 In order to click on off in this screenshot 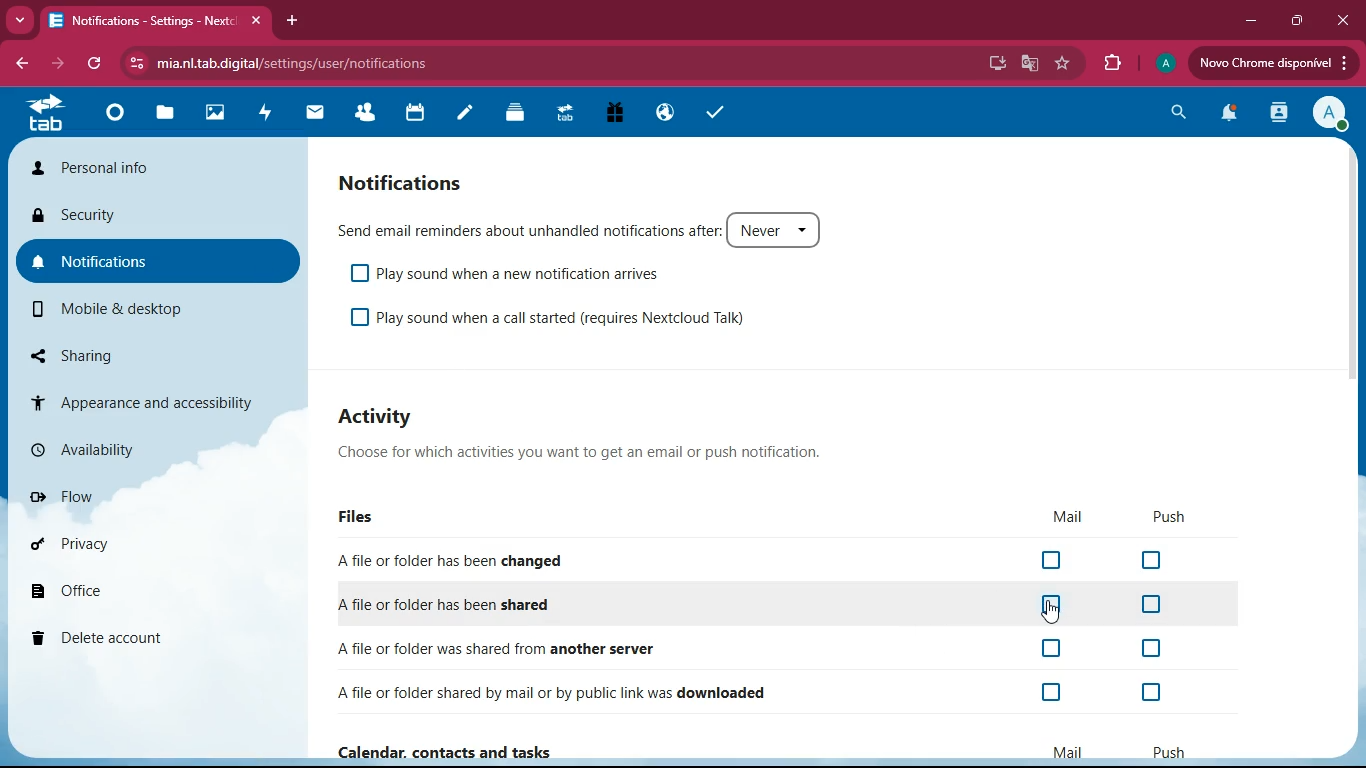, I will do `click(1153, 606)`.